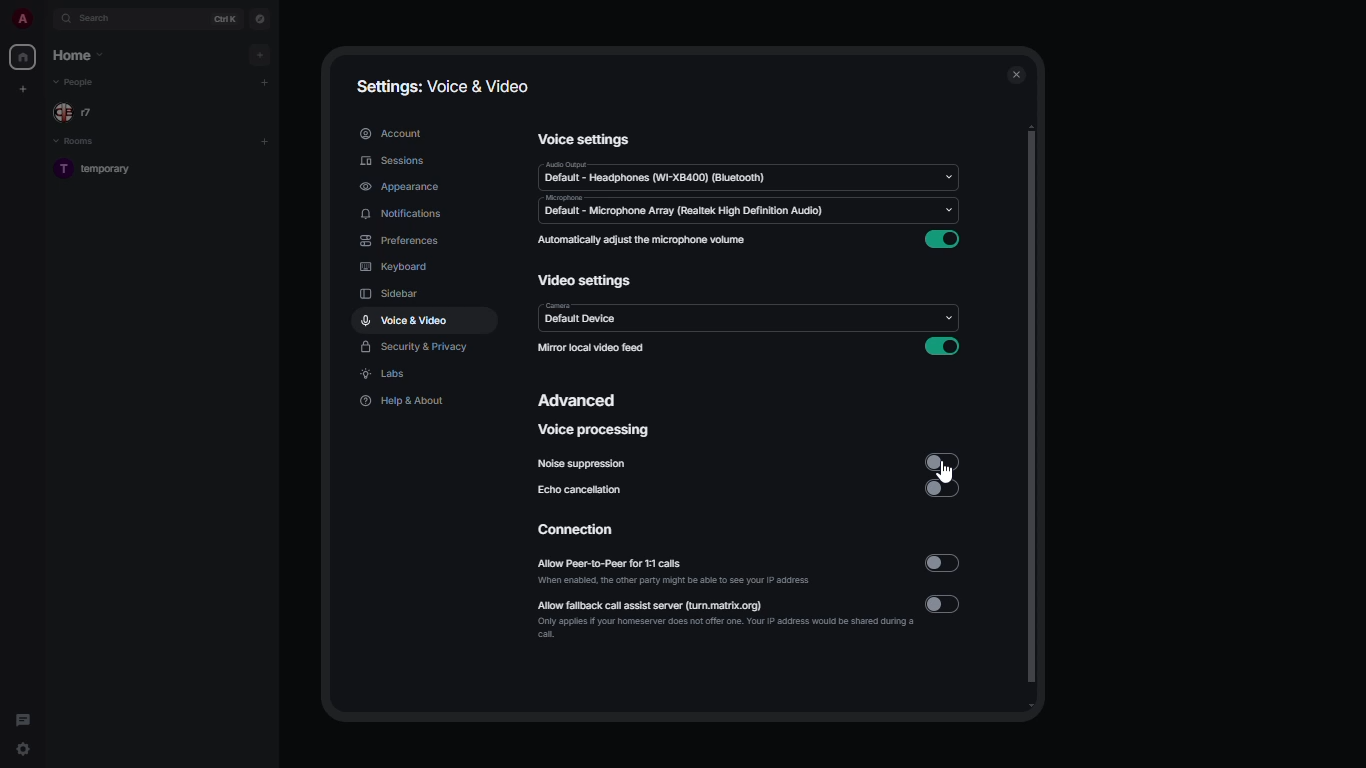  I want to click on settings: voice & video, so click(447, 87).